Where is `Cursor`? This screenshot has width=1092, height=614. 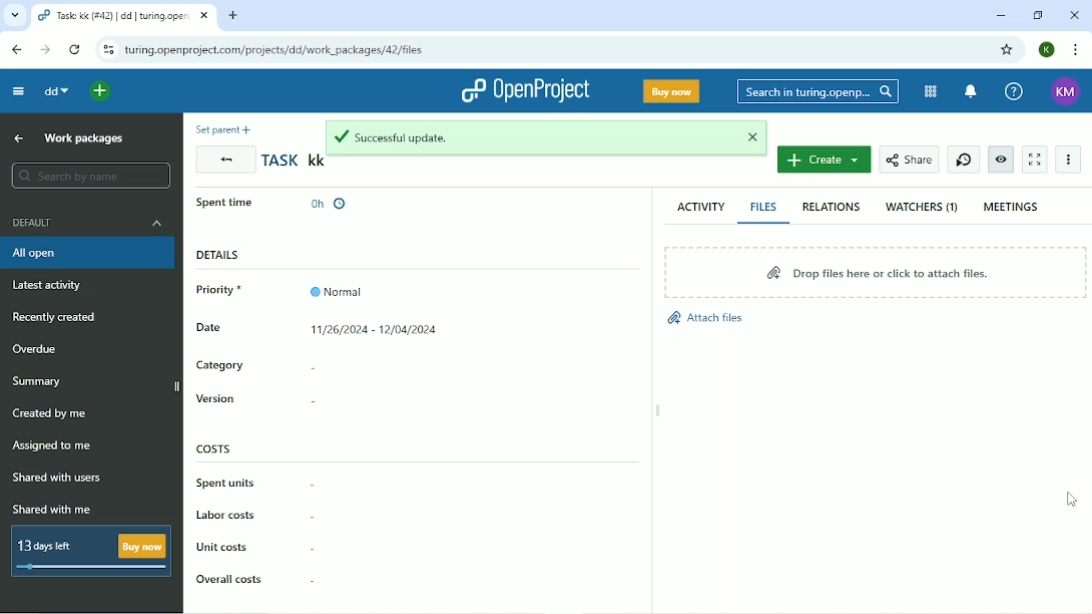
Cursor is located at coordinates (1074, 499).